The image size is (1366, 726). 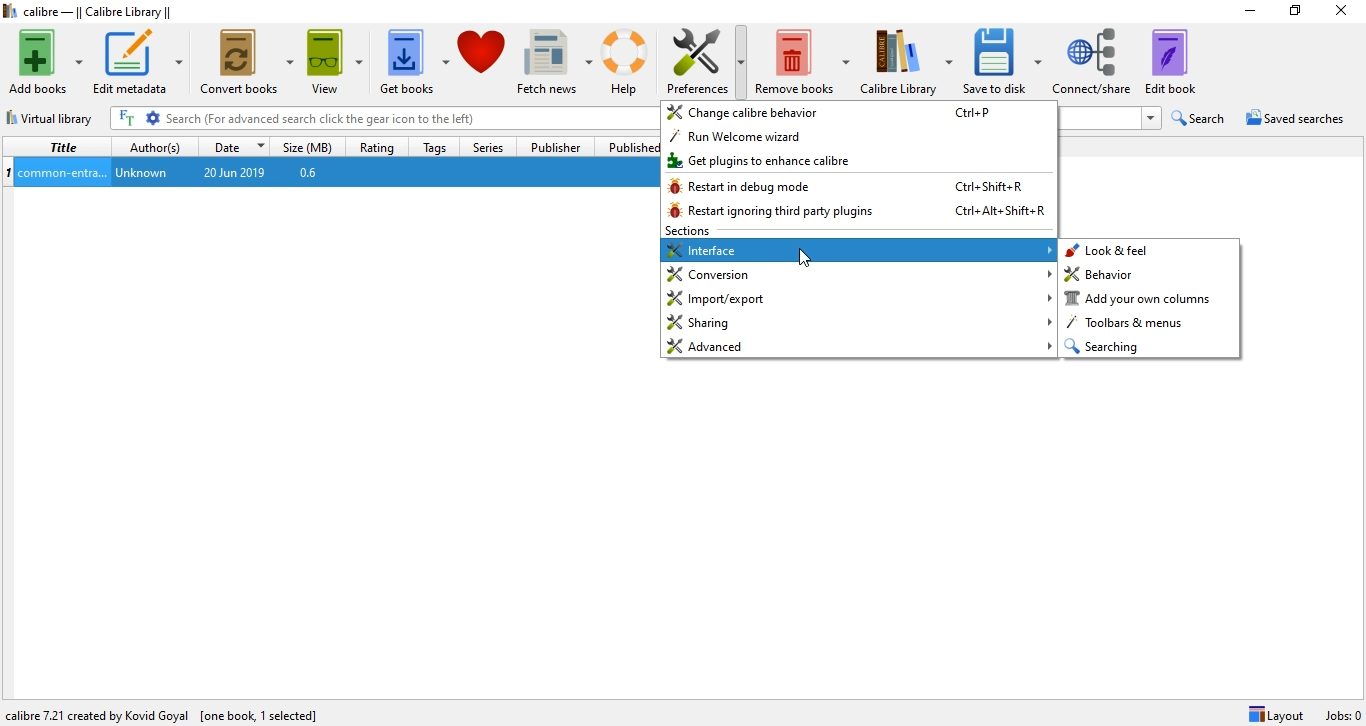 I want to click on Tags, so click(x=434, y=146).